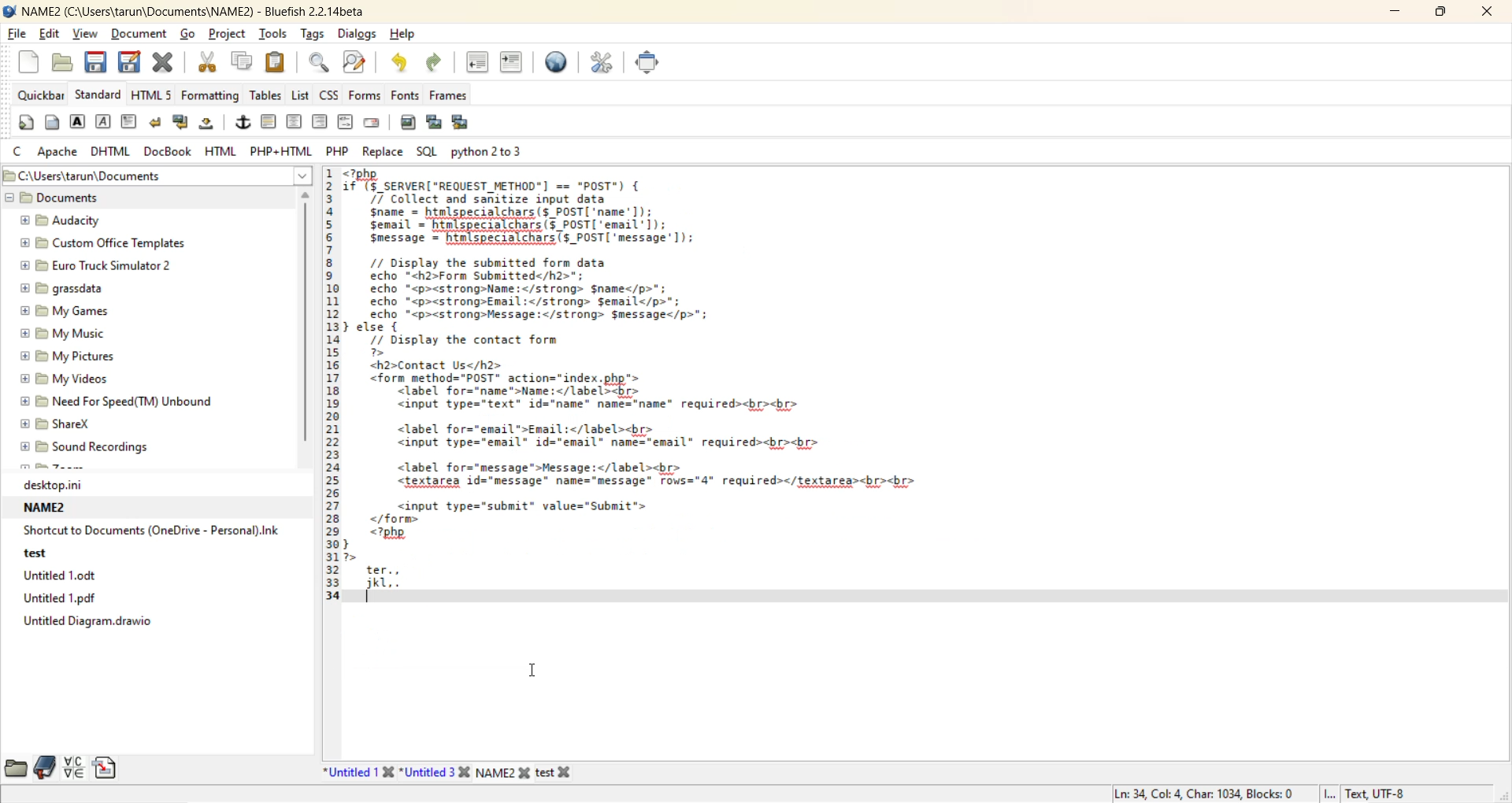  What do you see at coordinates (159, 174) in the screenshot?
I see `file path` at bounding box center [159, 174].